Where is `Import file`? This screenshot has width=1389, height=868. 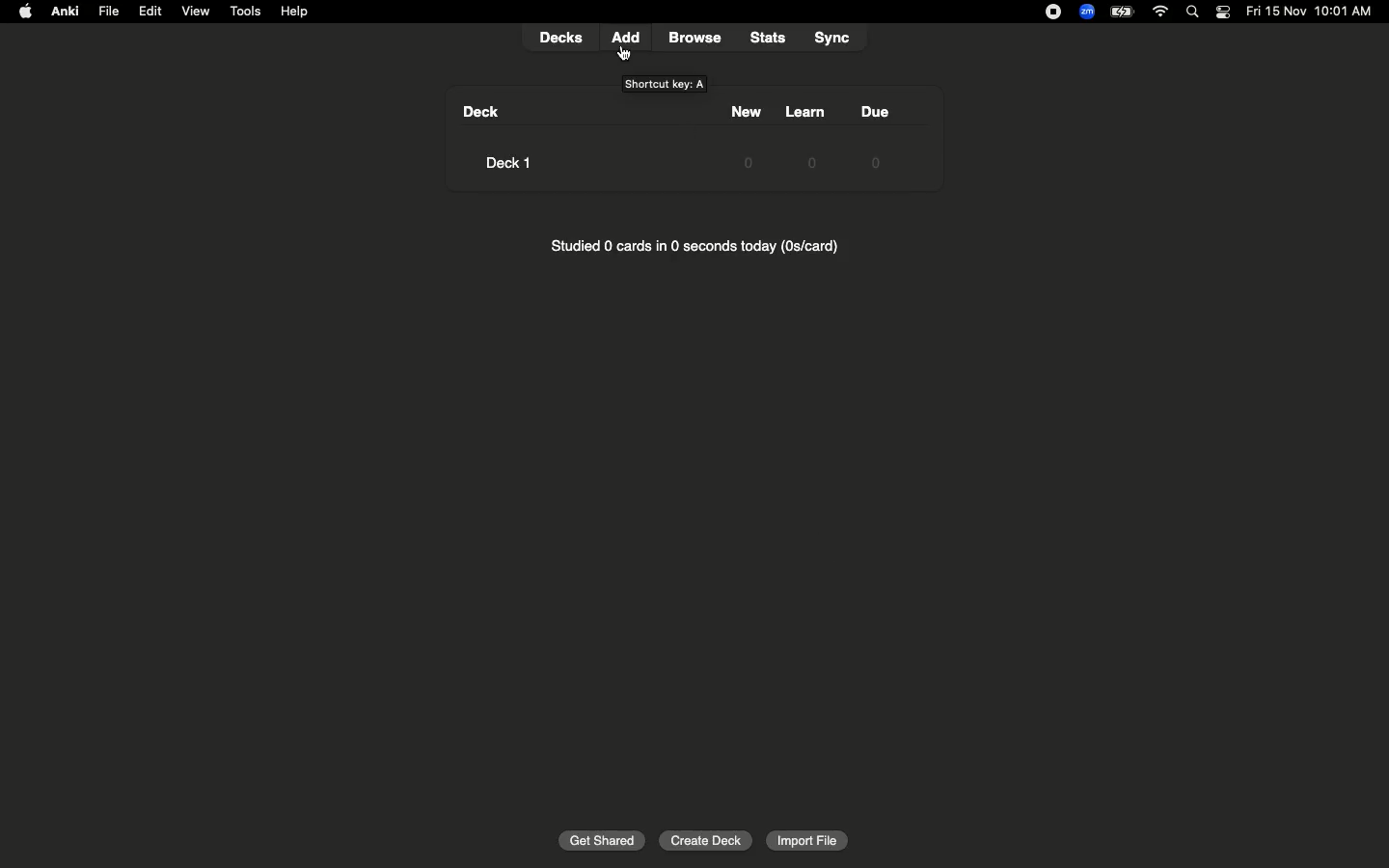 Import file is located at coordinates (804, 839).